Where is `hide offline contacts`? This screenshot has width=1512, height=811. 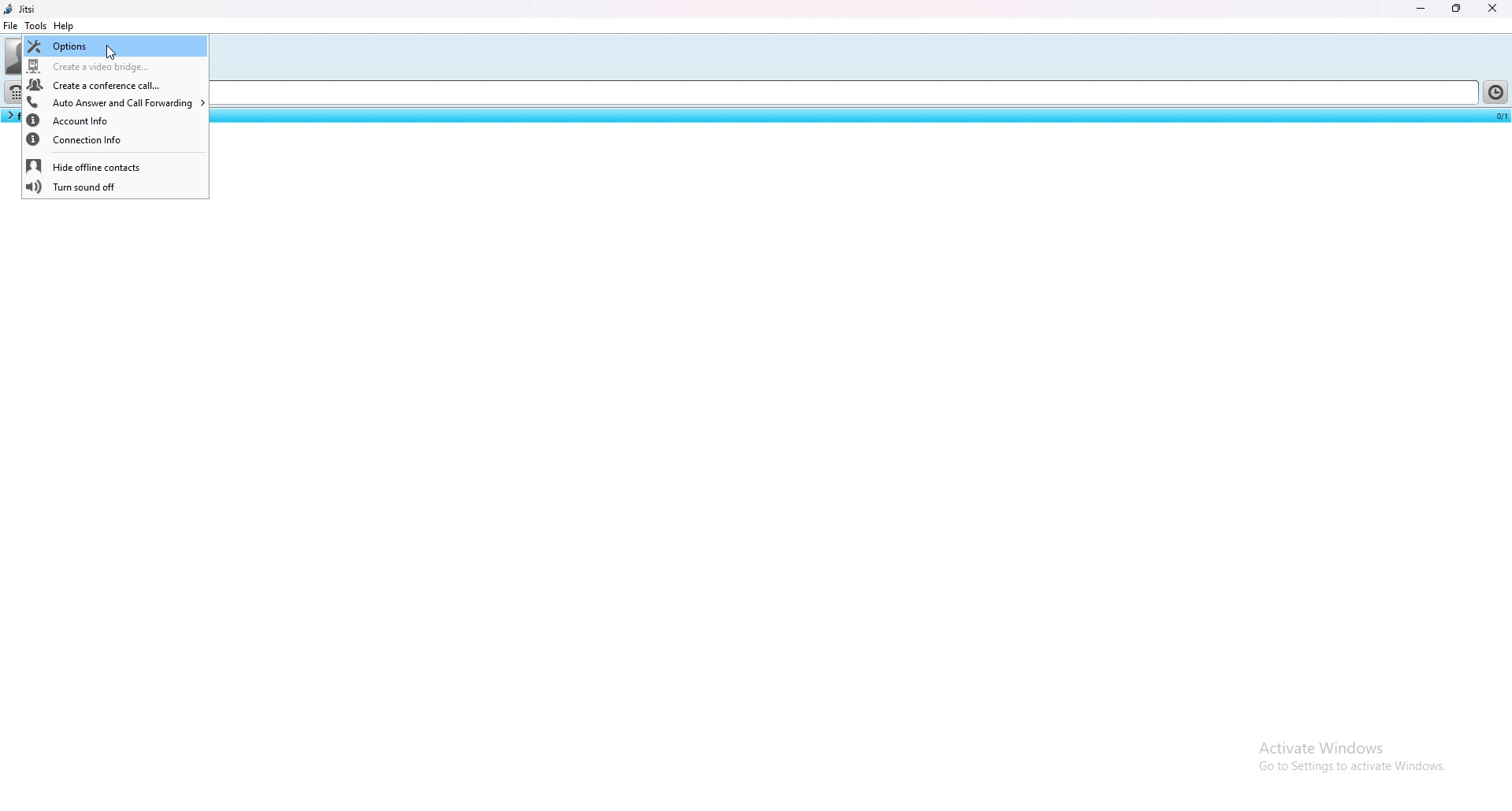
hide offline contacts is located at coordinates (117, 165).